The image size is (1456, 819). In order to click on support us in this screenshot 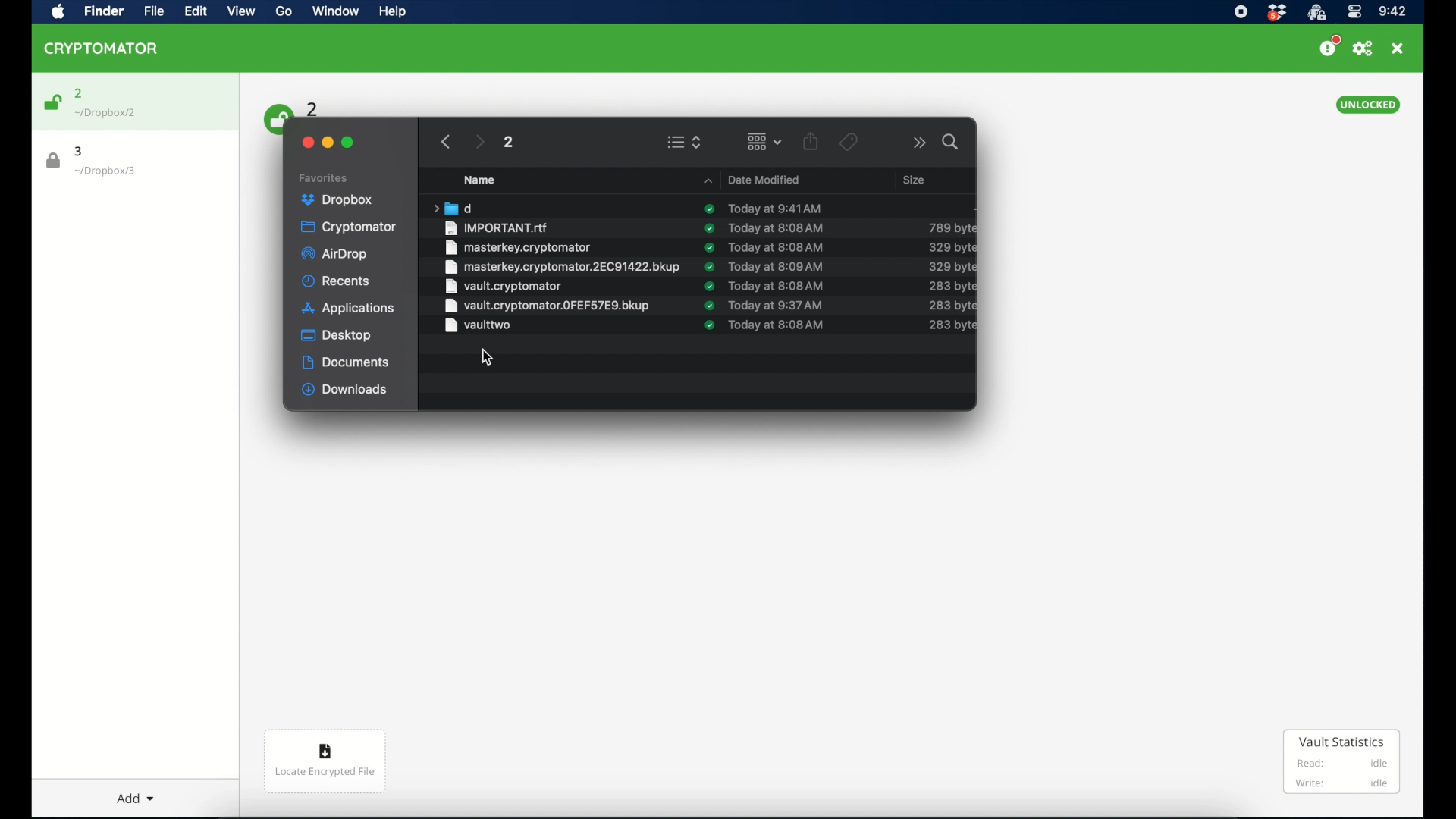, I will do `click(1329, 46)`.